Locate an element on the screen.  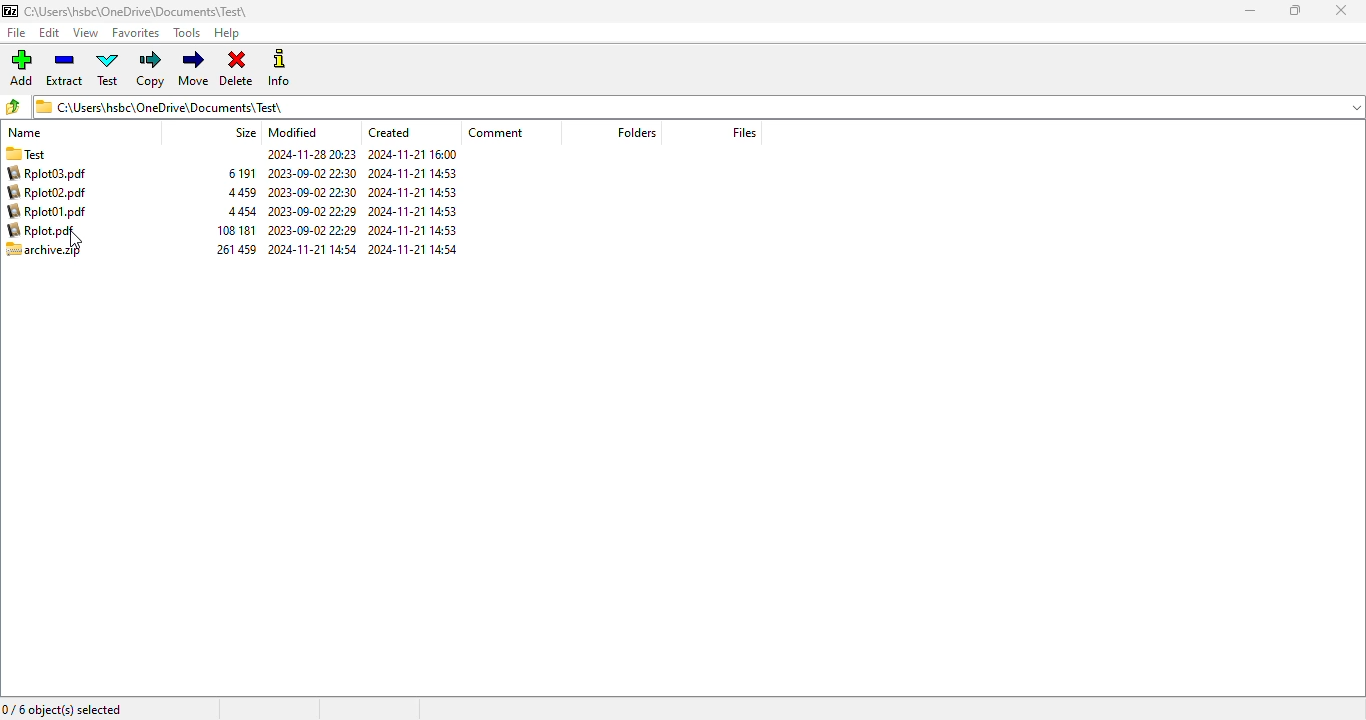
comment is located at coordinates (494, 132).